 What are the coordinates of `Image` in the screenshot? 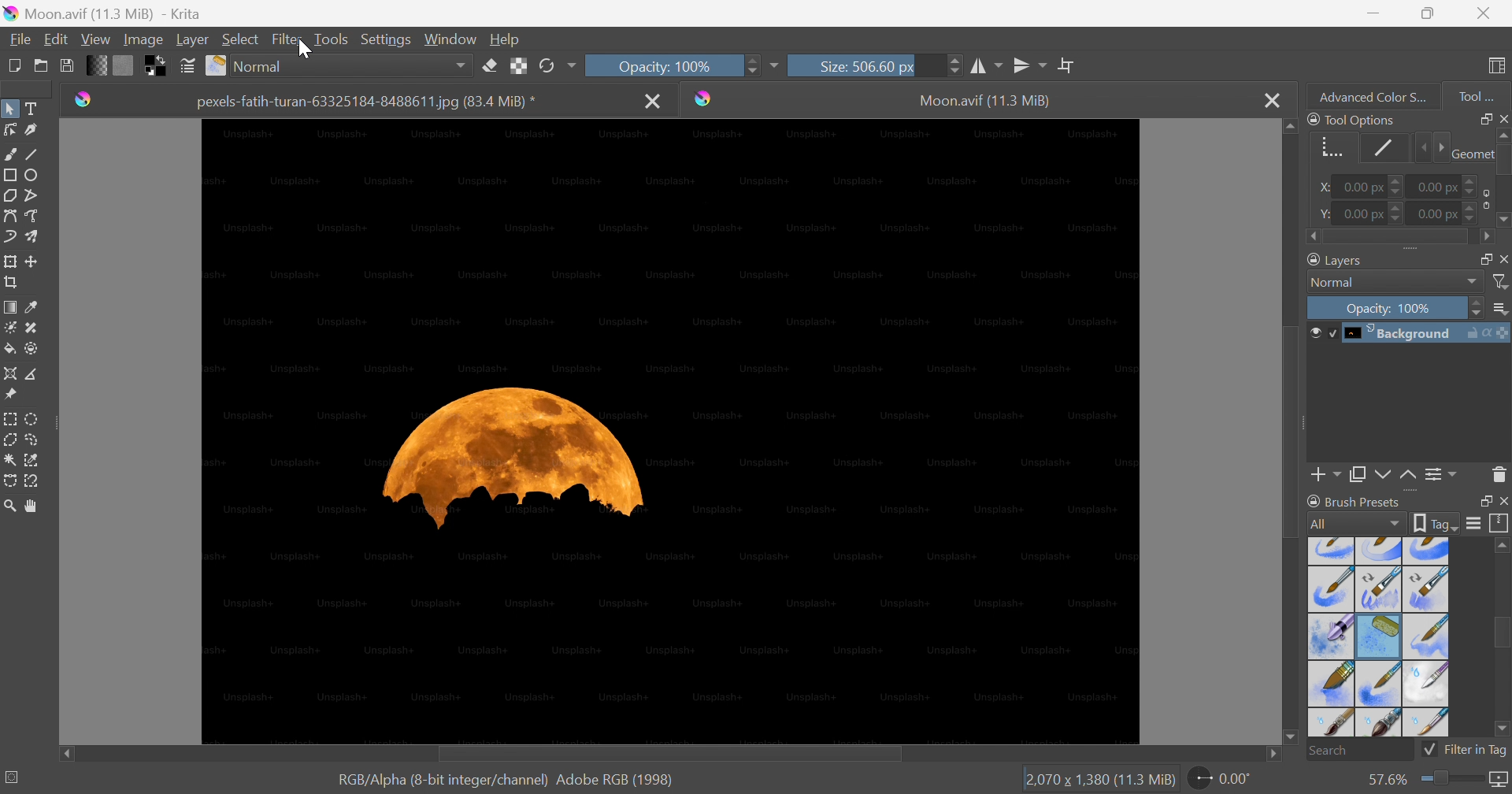 It's located at (670, 432).